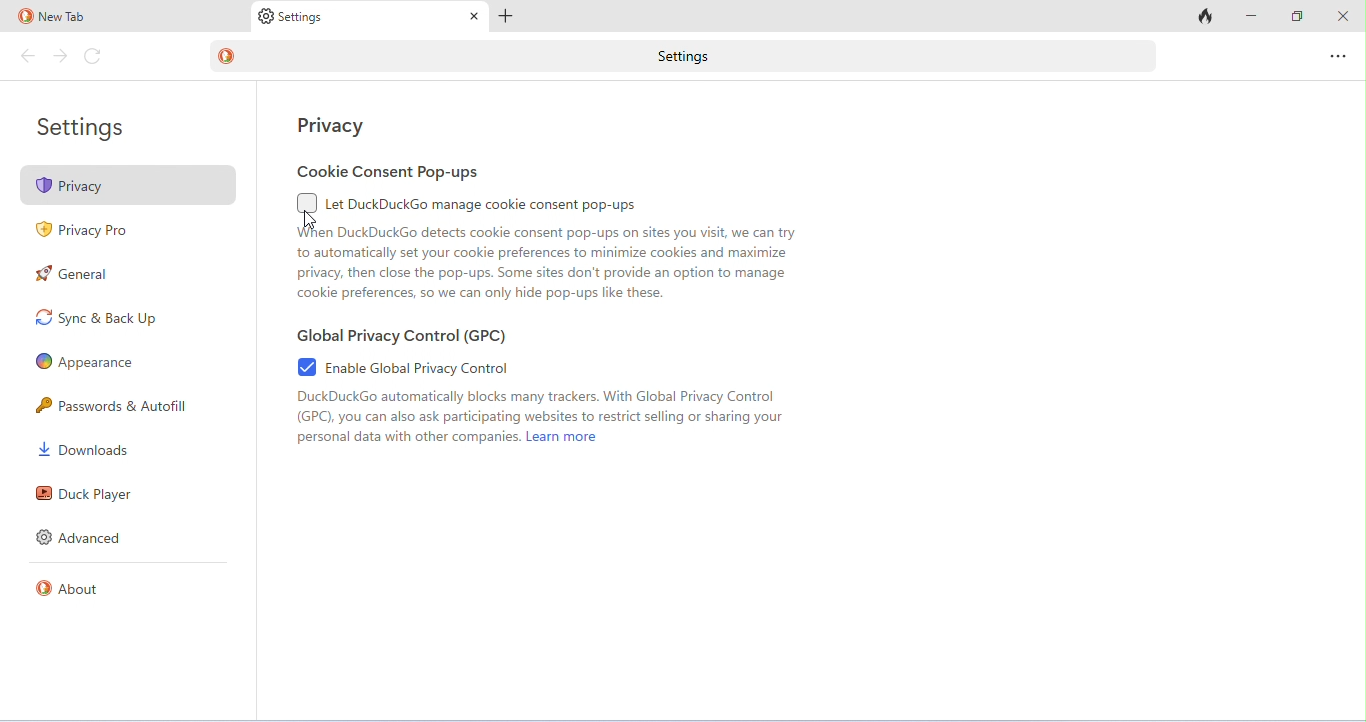  What do you see at coordinates (1250, 15) in the screenshot?
I see `minimize` at bounding box center [1250, 15].